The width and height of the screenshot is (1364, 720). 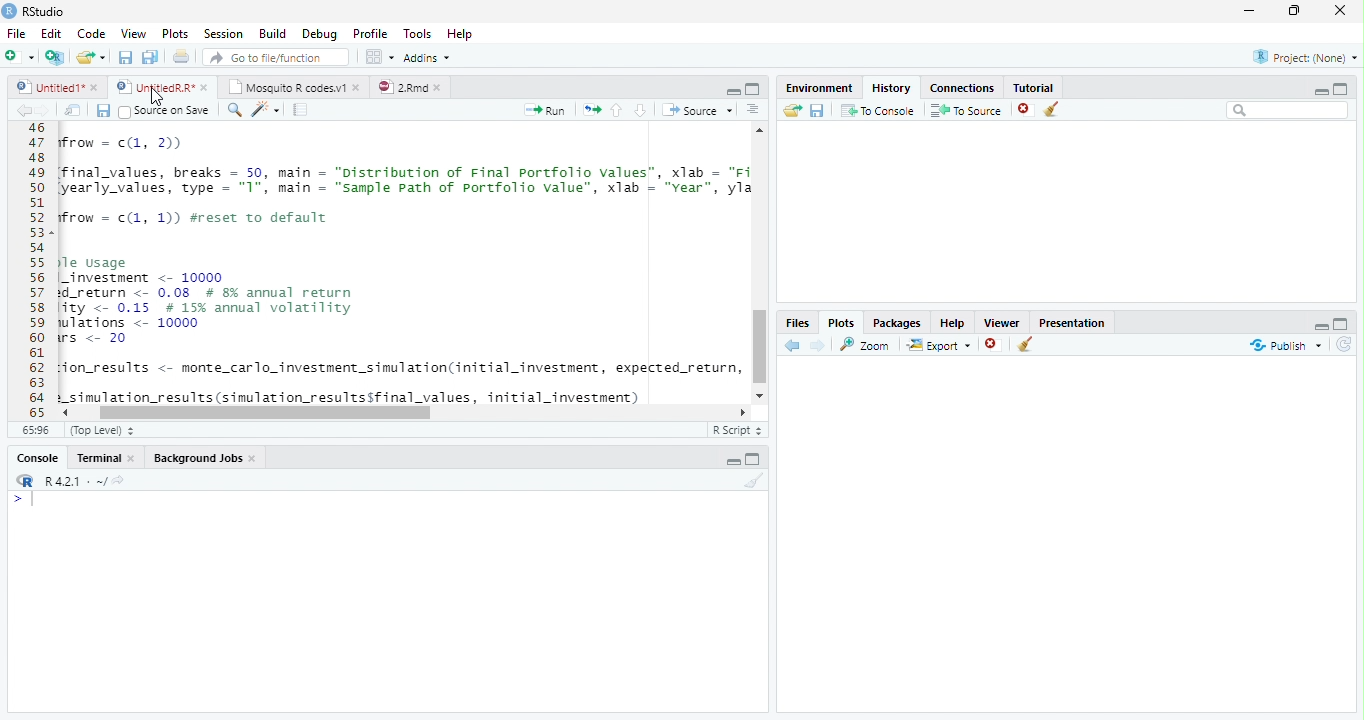 I want to click on Files, so click(x=798, y=322).